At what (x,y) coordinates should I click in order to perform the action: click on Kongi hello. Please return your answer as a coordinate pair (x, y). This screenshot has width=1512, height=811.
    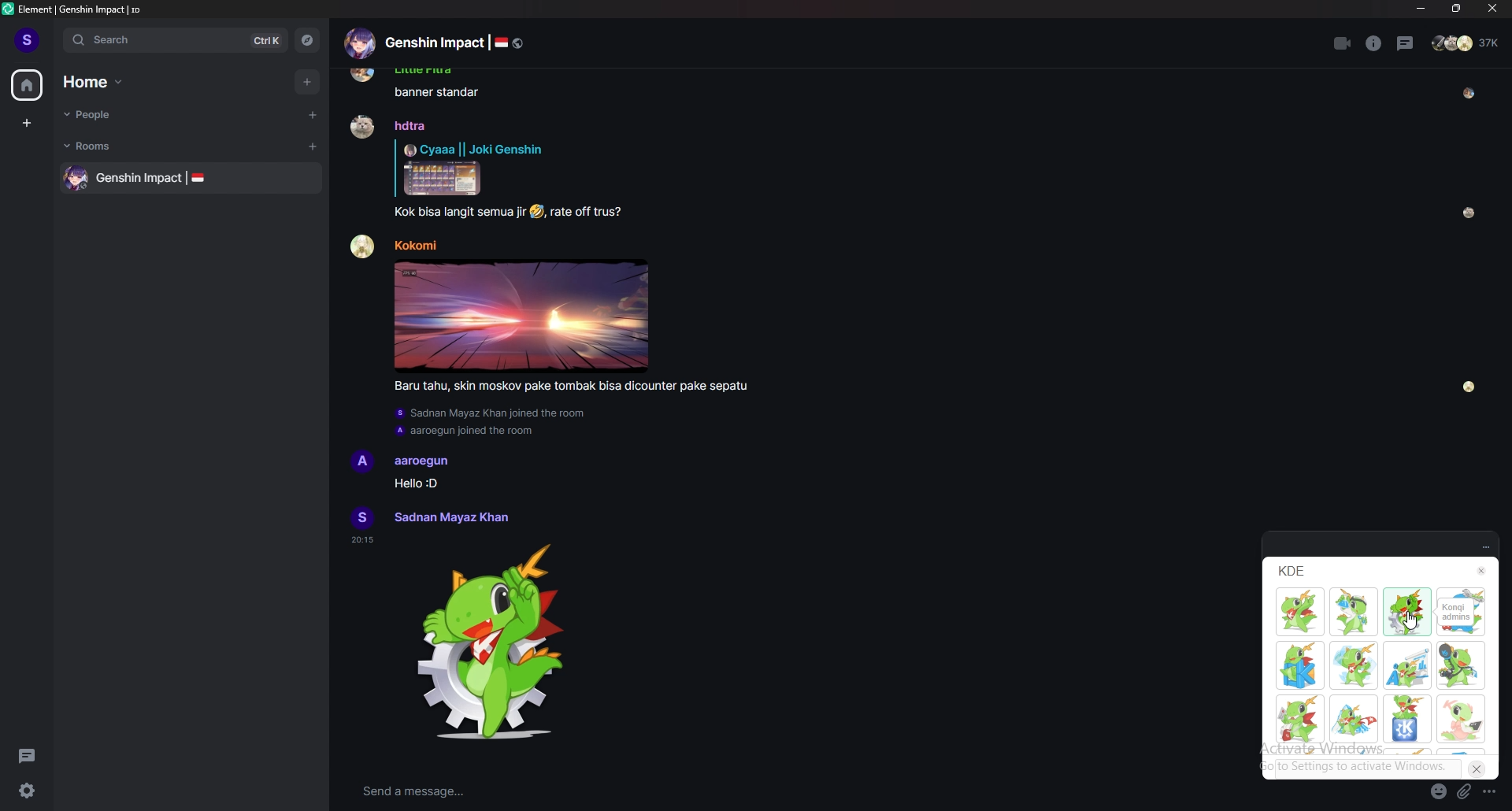
    Looking at the image, I should click on (1408, 719).